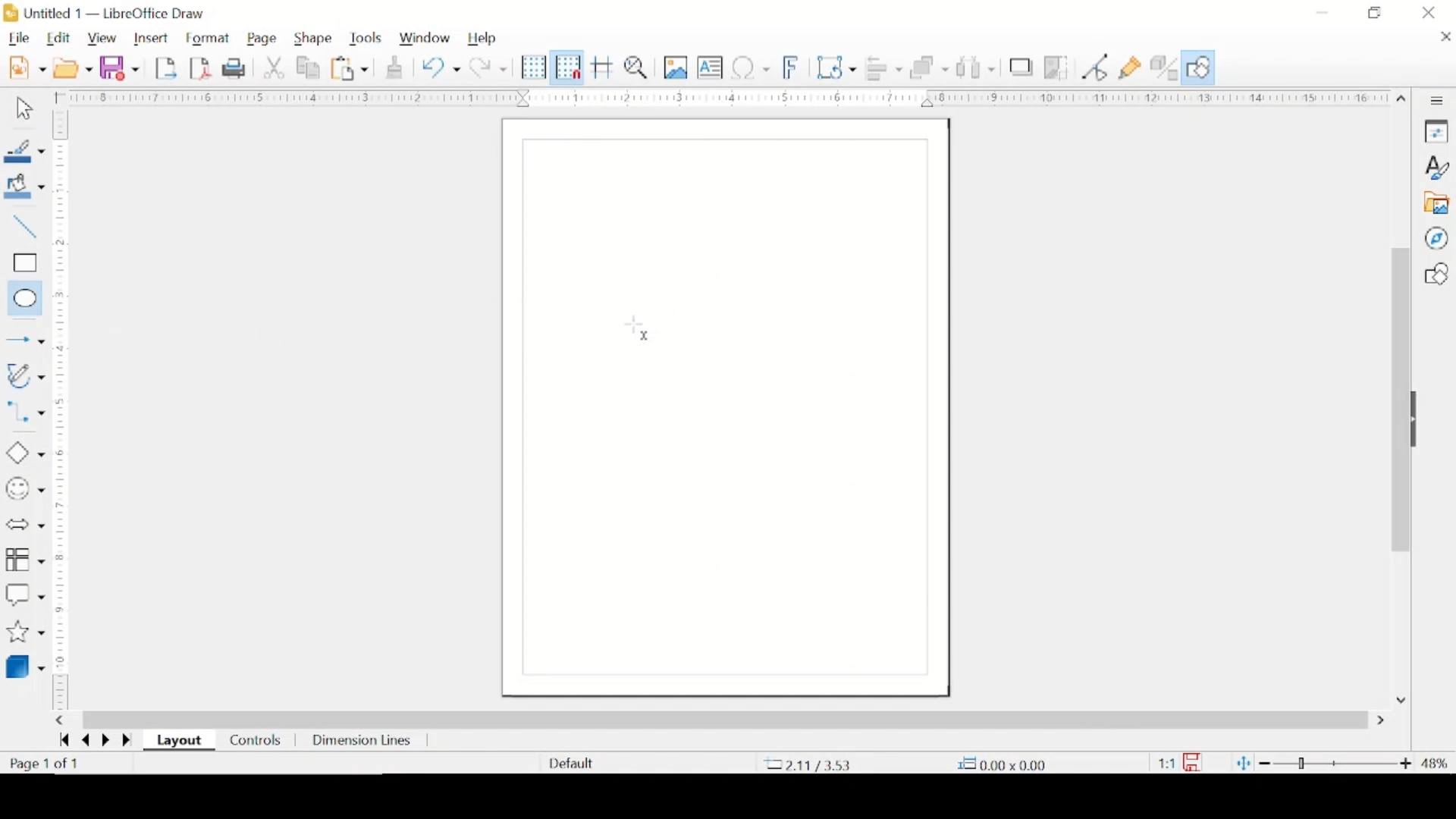 The height and width of the screenshot is (819, 1456). Describe the element at coordinates (1243, 763) in the screenshot. I see `fit page to current window` at that location.